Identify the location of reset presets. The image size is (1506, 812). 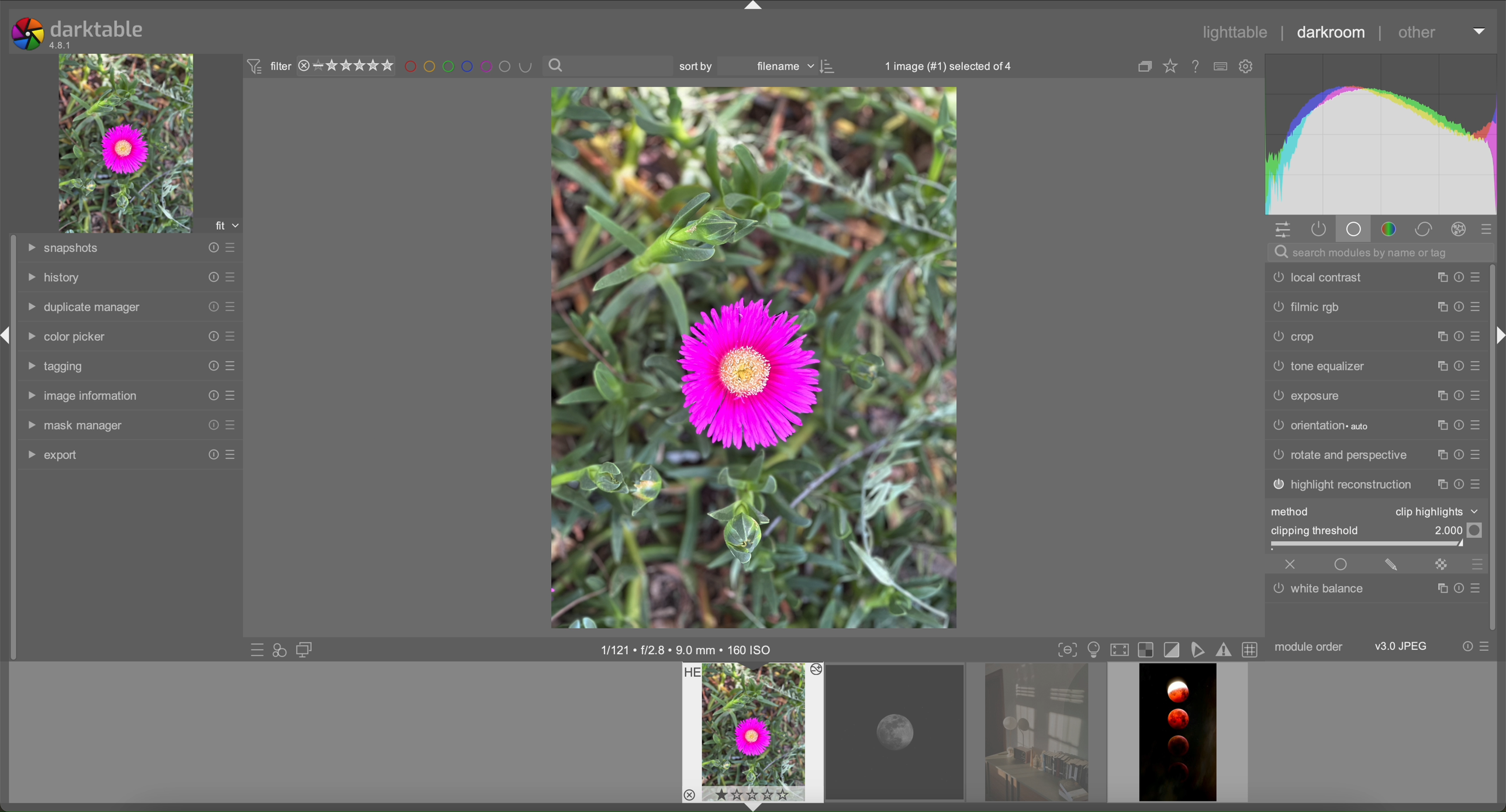
(210, 305).